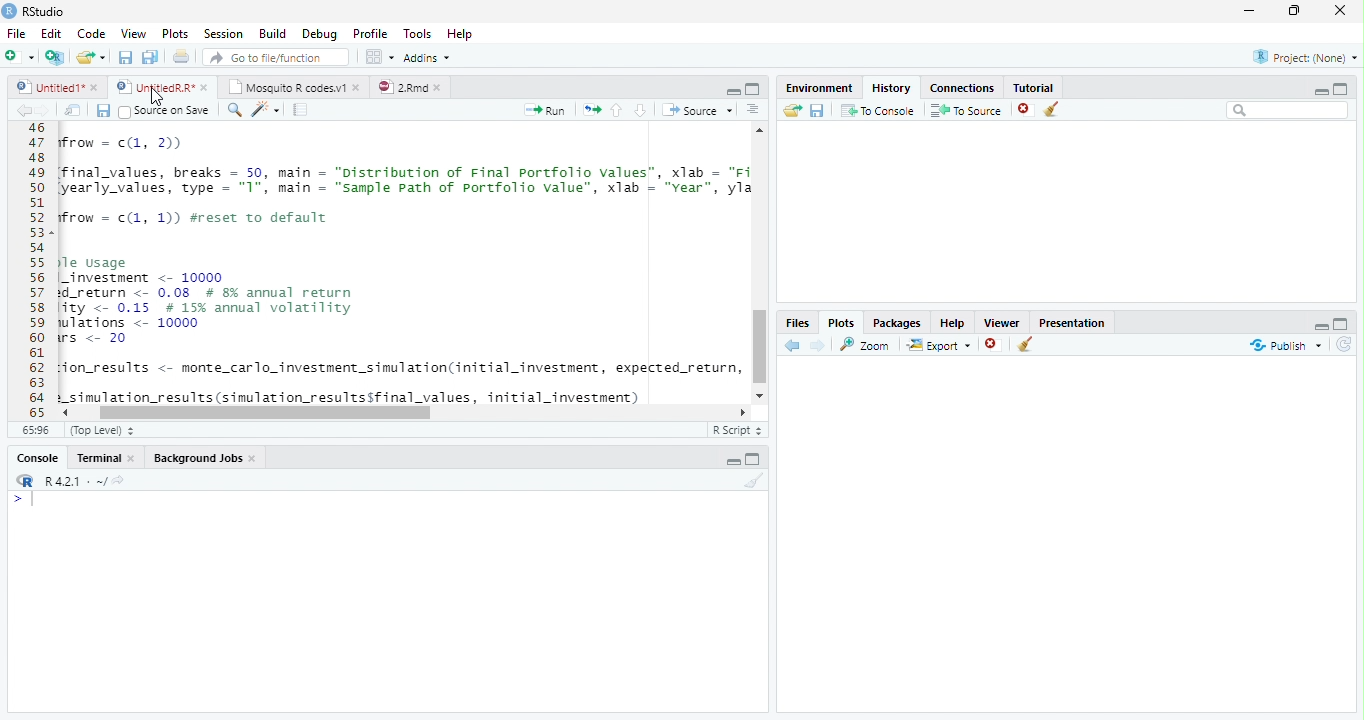  Describe the element at coordinates (379, 57) in the screenshot. I see `Workspace Panes` at that location.